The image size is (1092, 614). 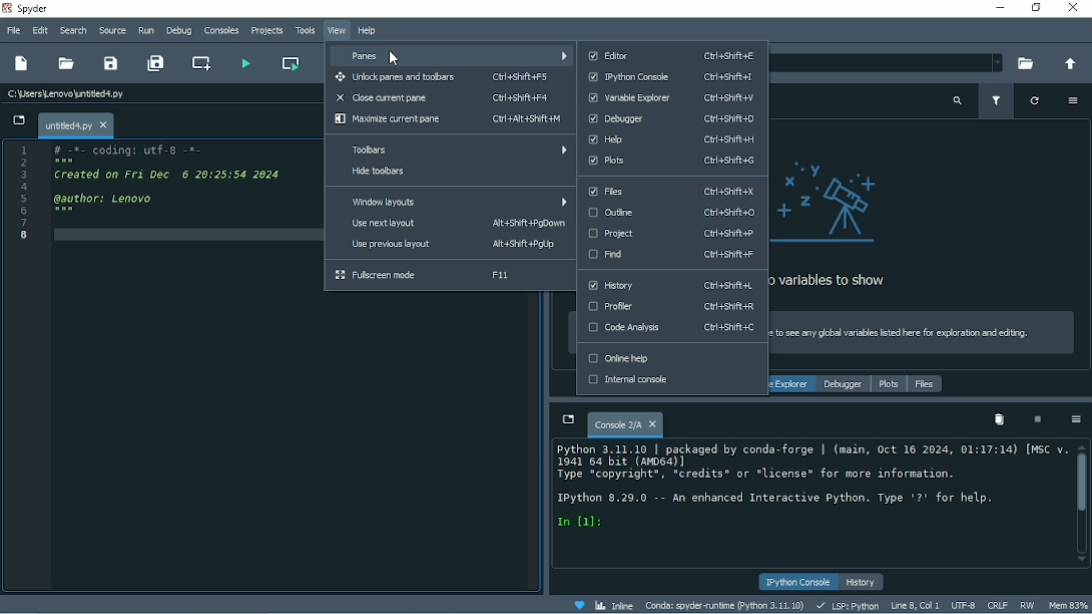 What do you see at coordinates (927, 332) in the screenshot?
I see `Run code in the editor or IPython console to see any global variables listed here for exploration and editing.` at bounding box center [927, 332].